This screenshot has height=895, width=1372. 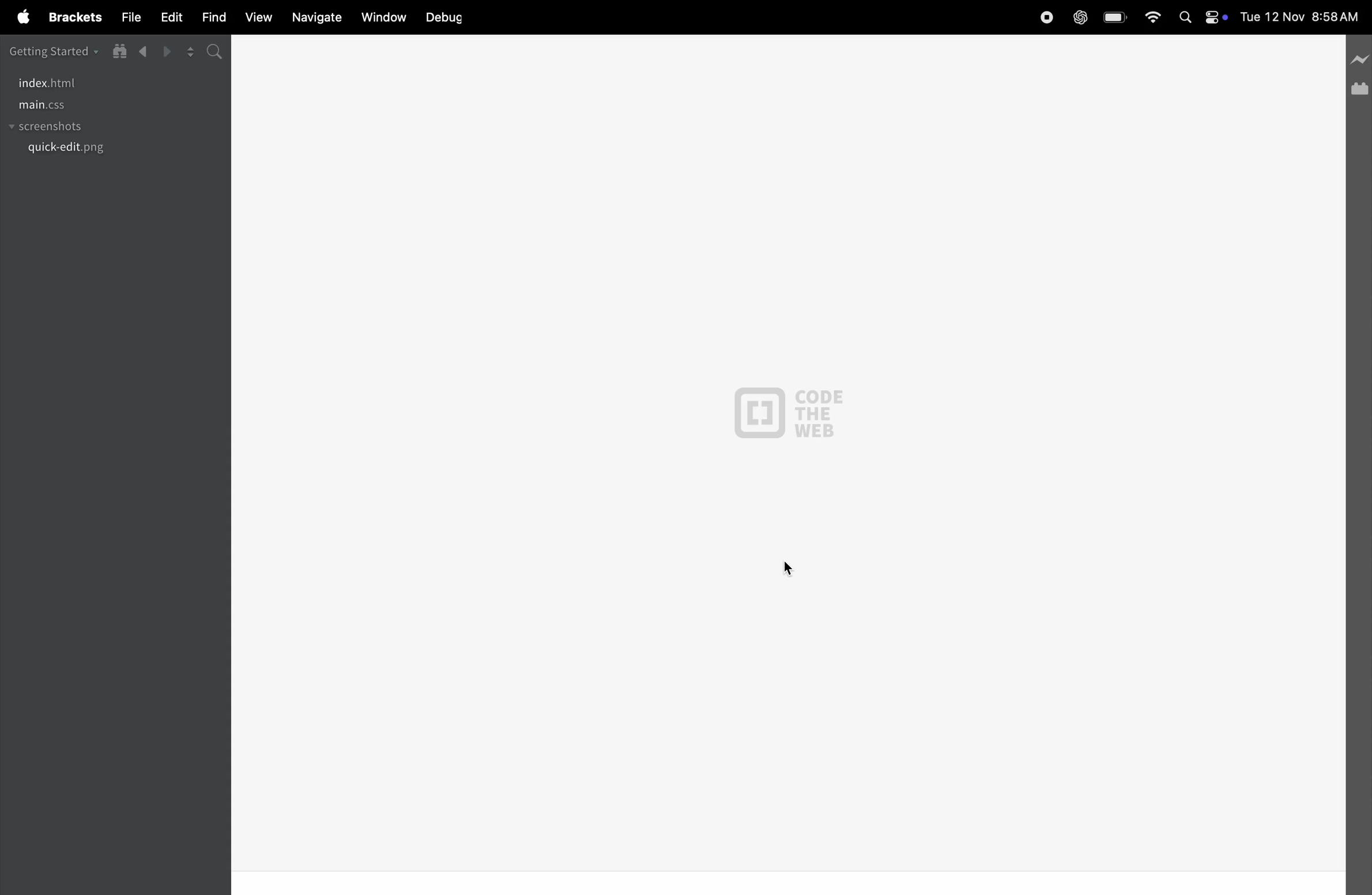 What do you see at coordinates (1079, 17) in the screenshot?
I see `chatgpt` at bounding box center [1079, 17].